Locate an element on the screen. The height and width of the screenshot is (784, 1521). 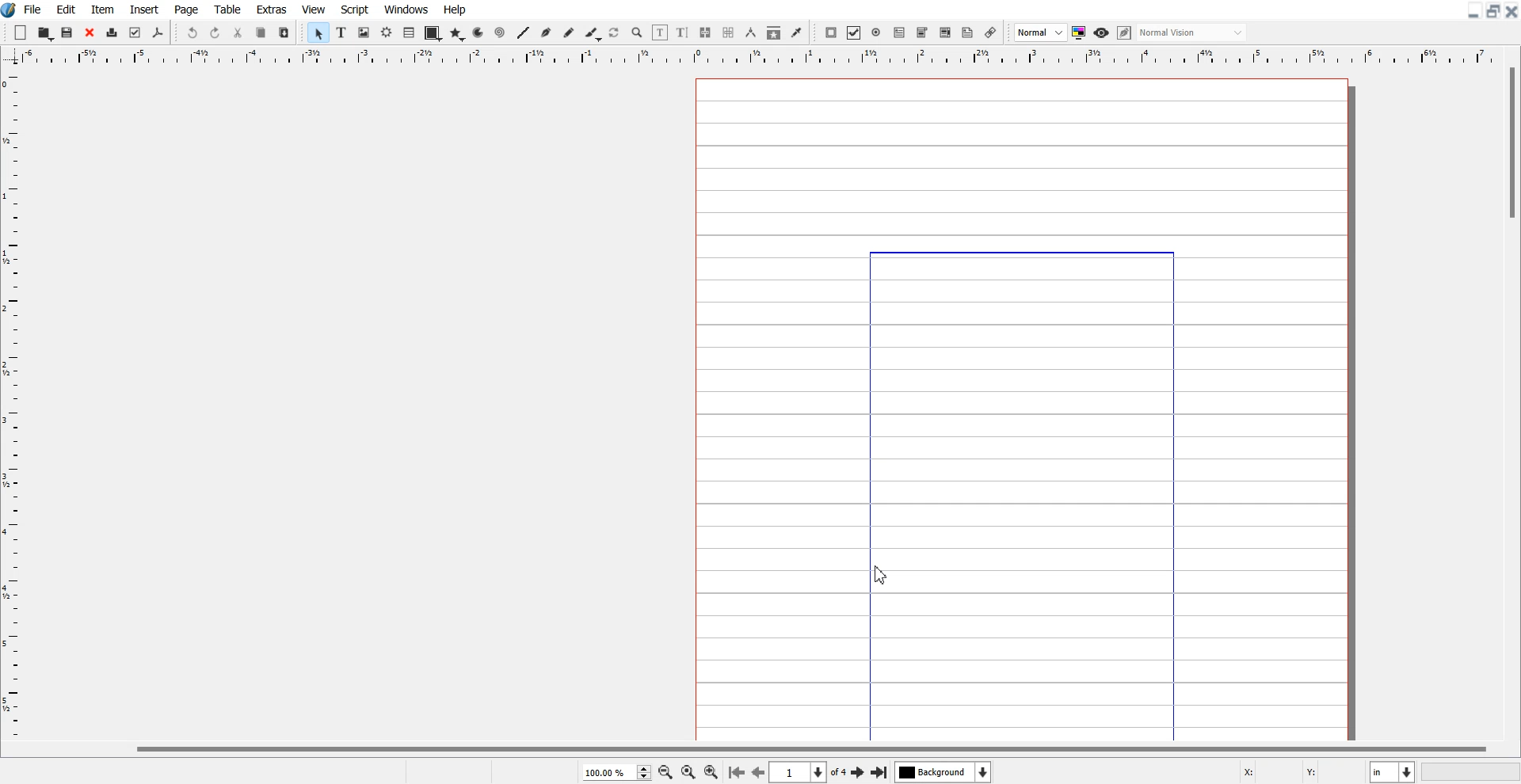
Select the current layer is located at coordinates (945, 771).